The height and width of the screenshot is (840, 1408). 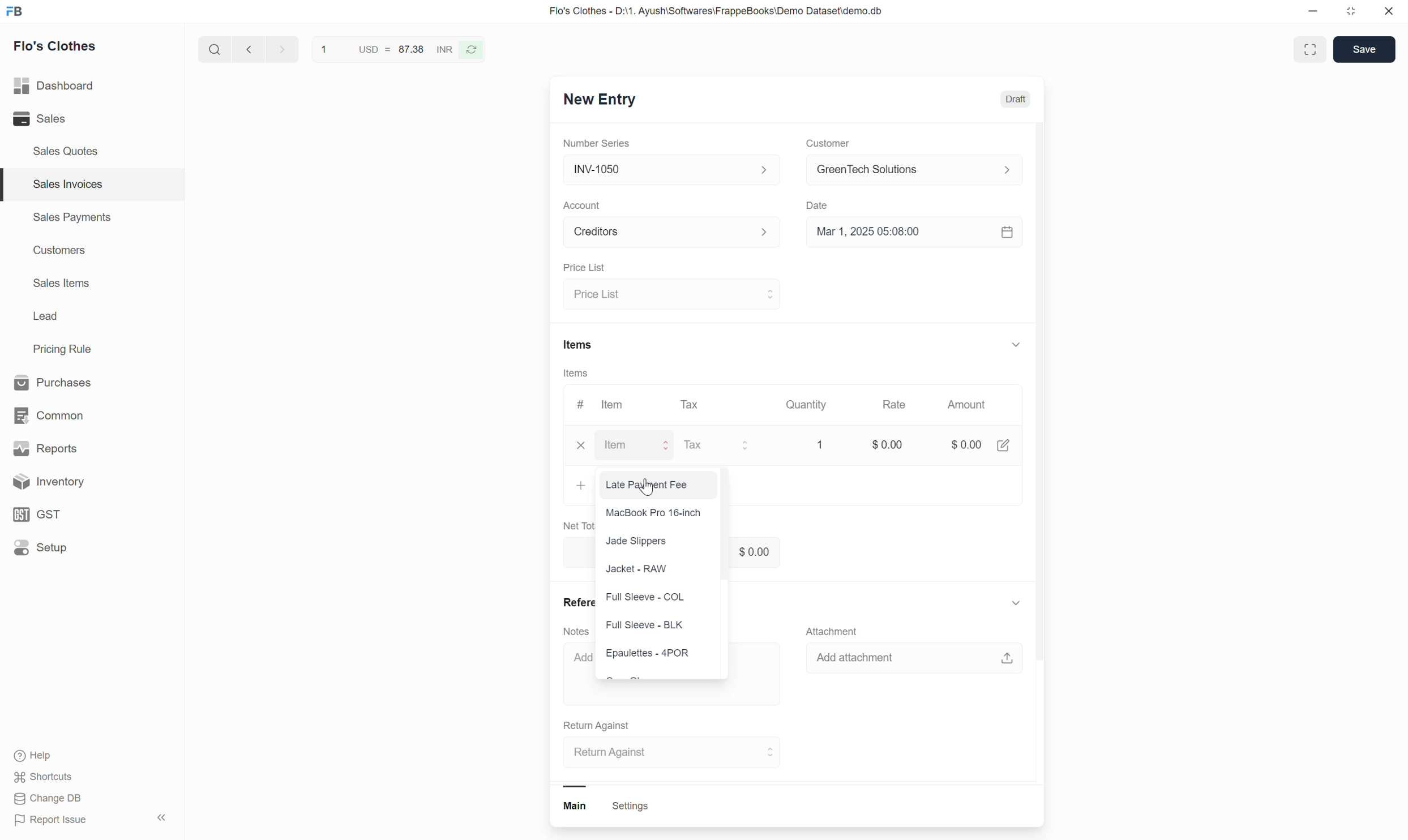 What do you see at coordinates (648, 489) in the screenshot?
I see `cursor ` at bounding box center [648, 489].